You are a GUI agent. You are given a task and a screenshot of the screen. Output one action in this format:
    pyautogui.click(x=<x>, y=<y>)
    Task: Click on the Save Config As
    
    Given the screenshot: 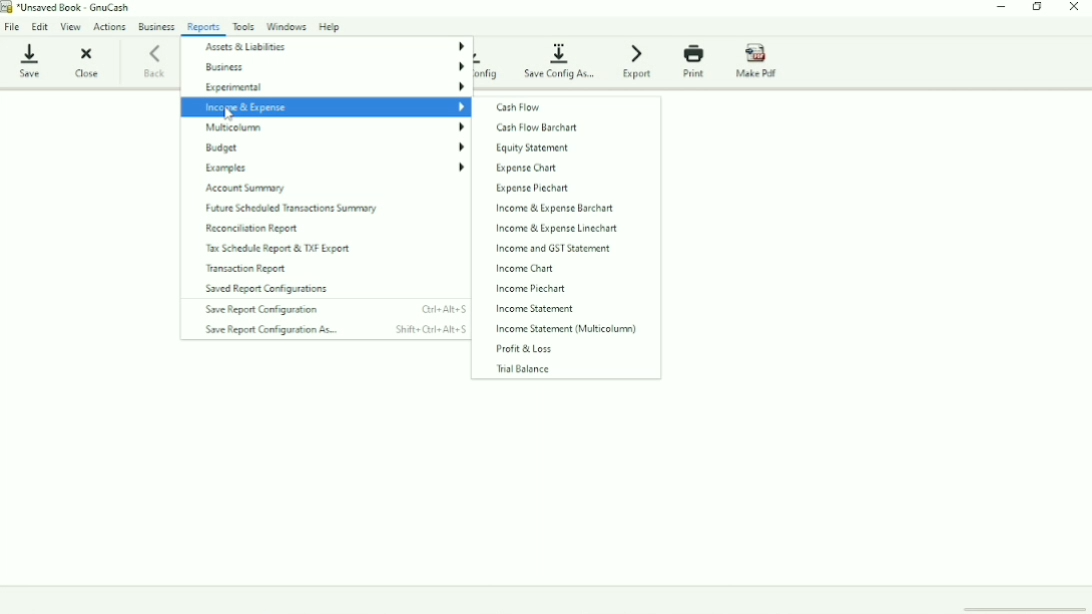 What is the action you would take?
    pyautogui.click(x=562, y=60)
    